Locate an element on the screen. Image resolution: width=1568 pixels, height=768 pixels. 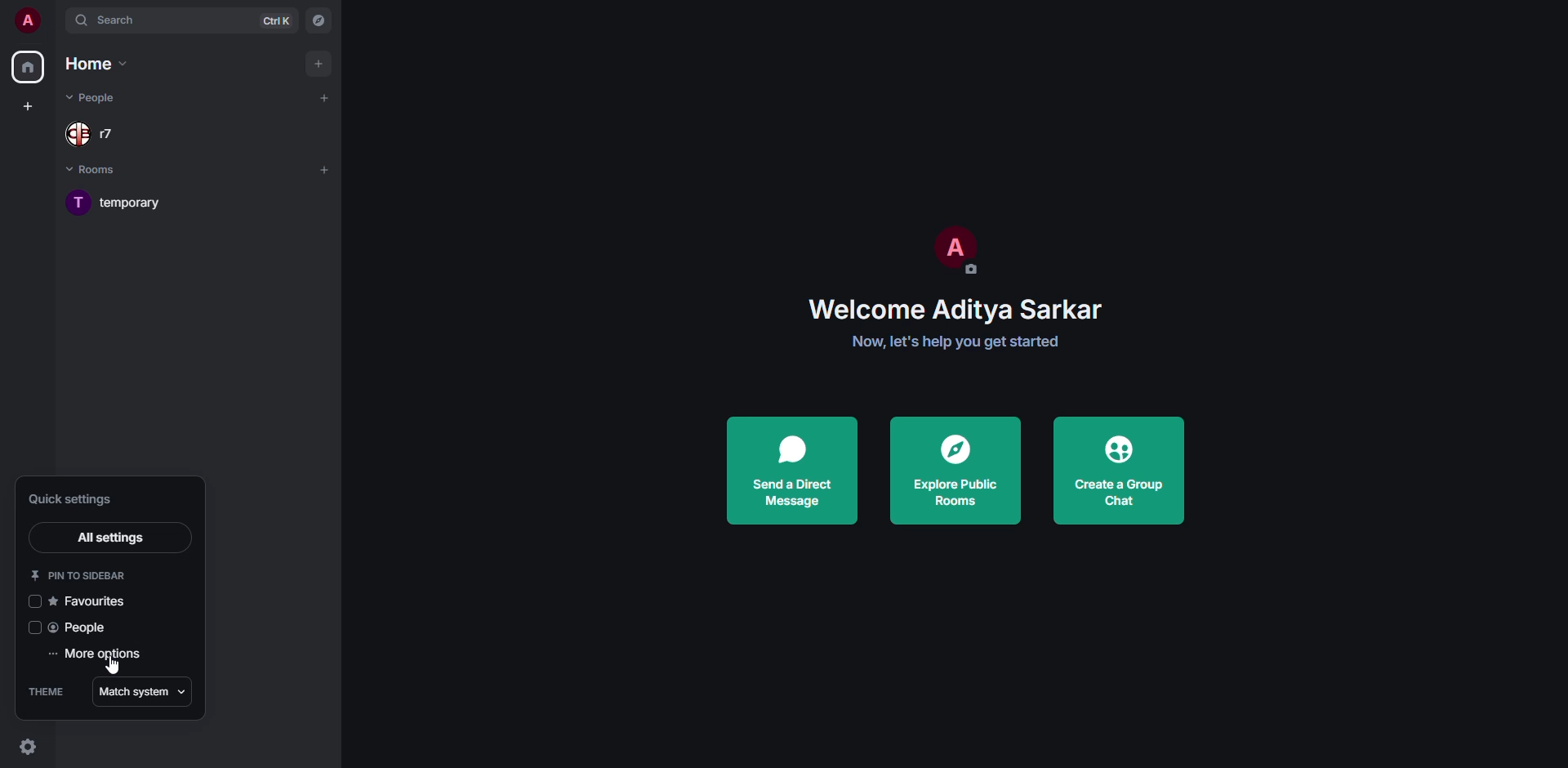
all settings is located at coordinates (109, 537).